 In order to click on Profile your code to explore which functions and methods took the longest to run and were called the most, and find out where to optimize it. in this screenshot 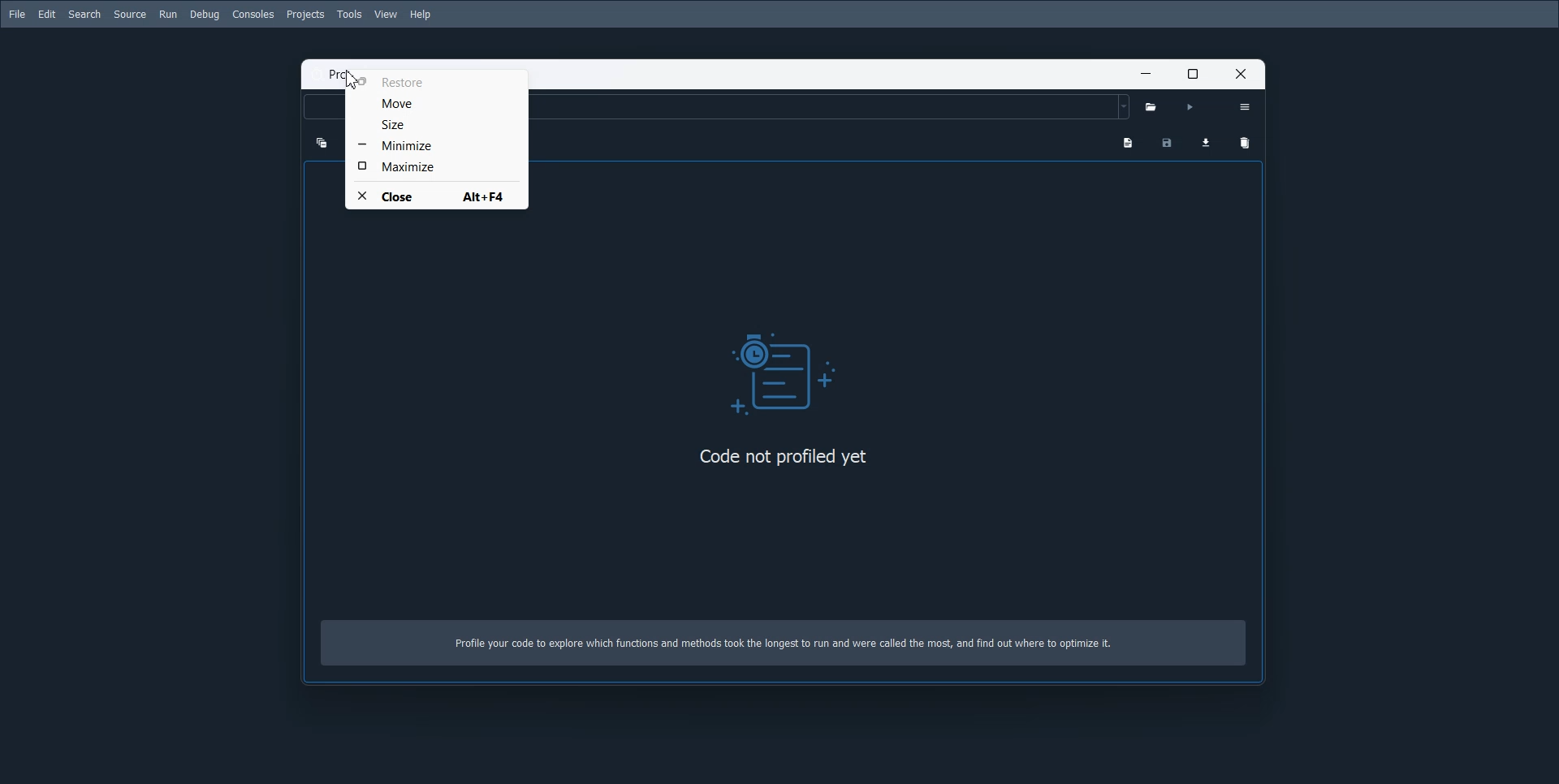, I will do `click(799, 653)`.